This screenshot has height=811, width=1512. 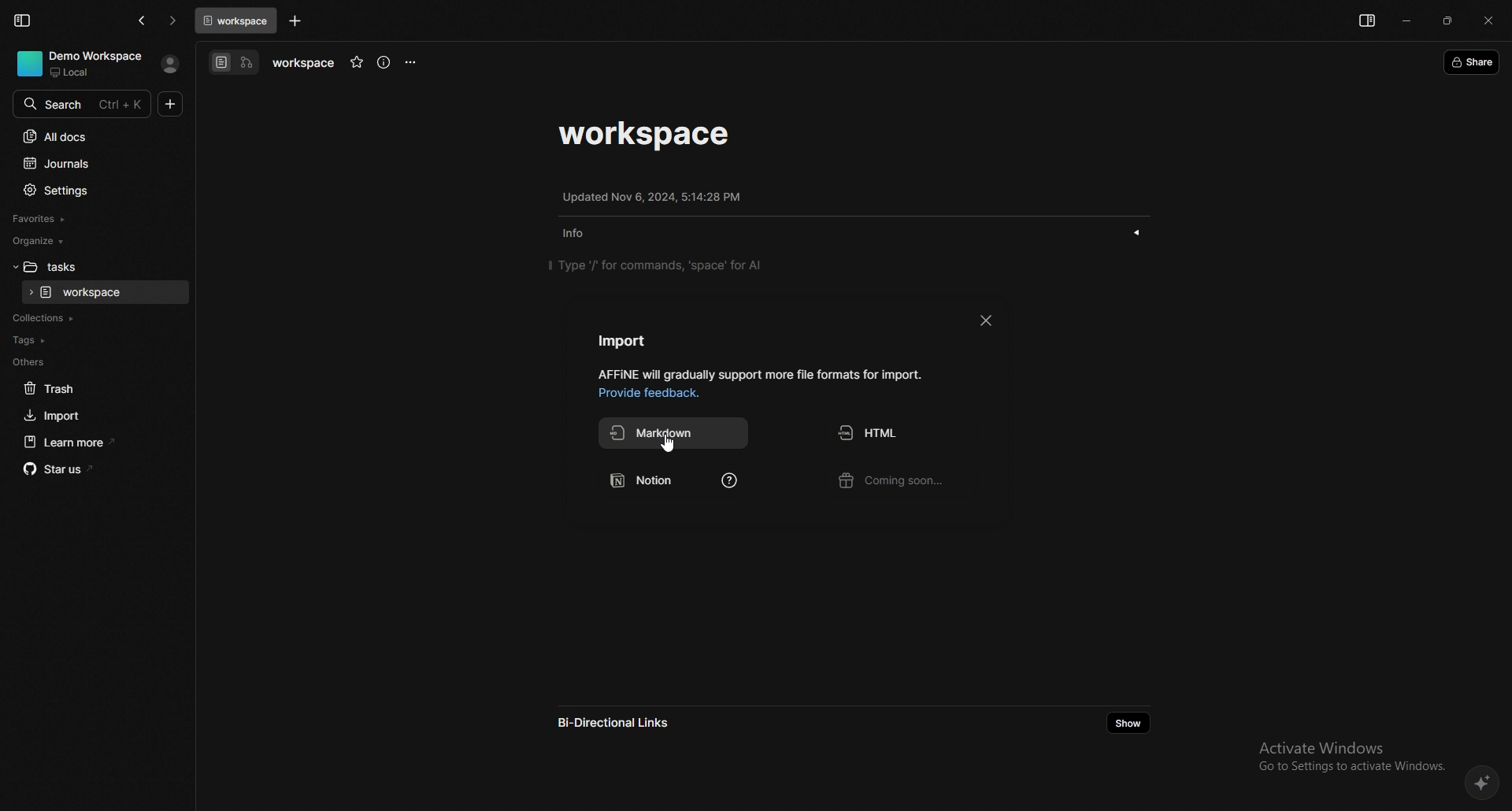 I want to click on learn more, so click(x=94, y=443).